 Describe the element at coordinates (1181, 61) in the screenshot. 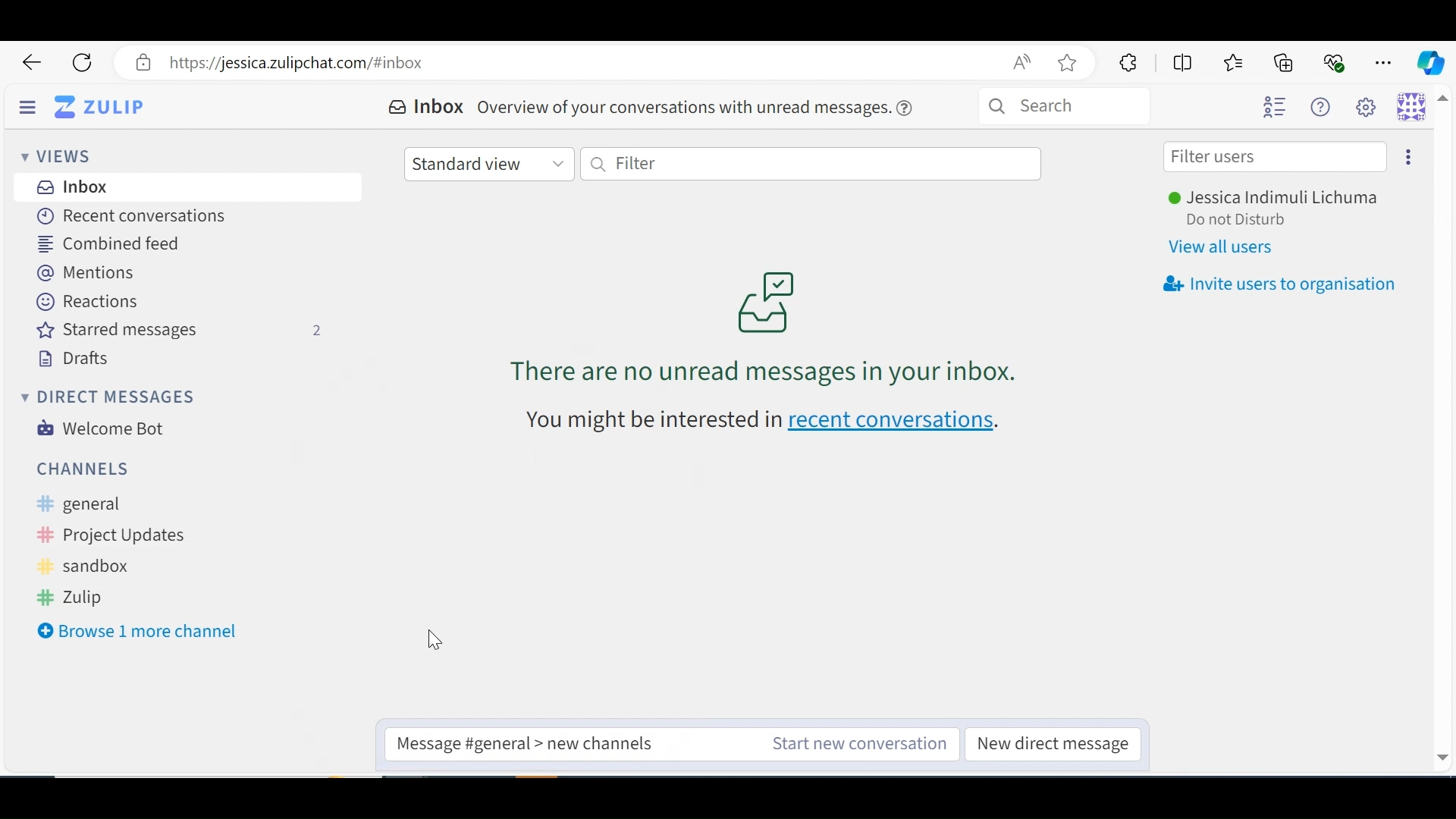

I see `Split screen` at that location.